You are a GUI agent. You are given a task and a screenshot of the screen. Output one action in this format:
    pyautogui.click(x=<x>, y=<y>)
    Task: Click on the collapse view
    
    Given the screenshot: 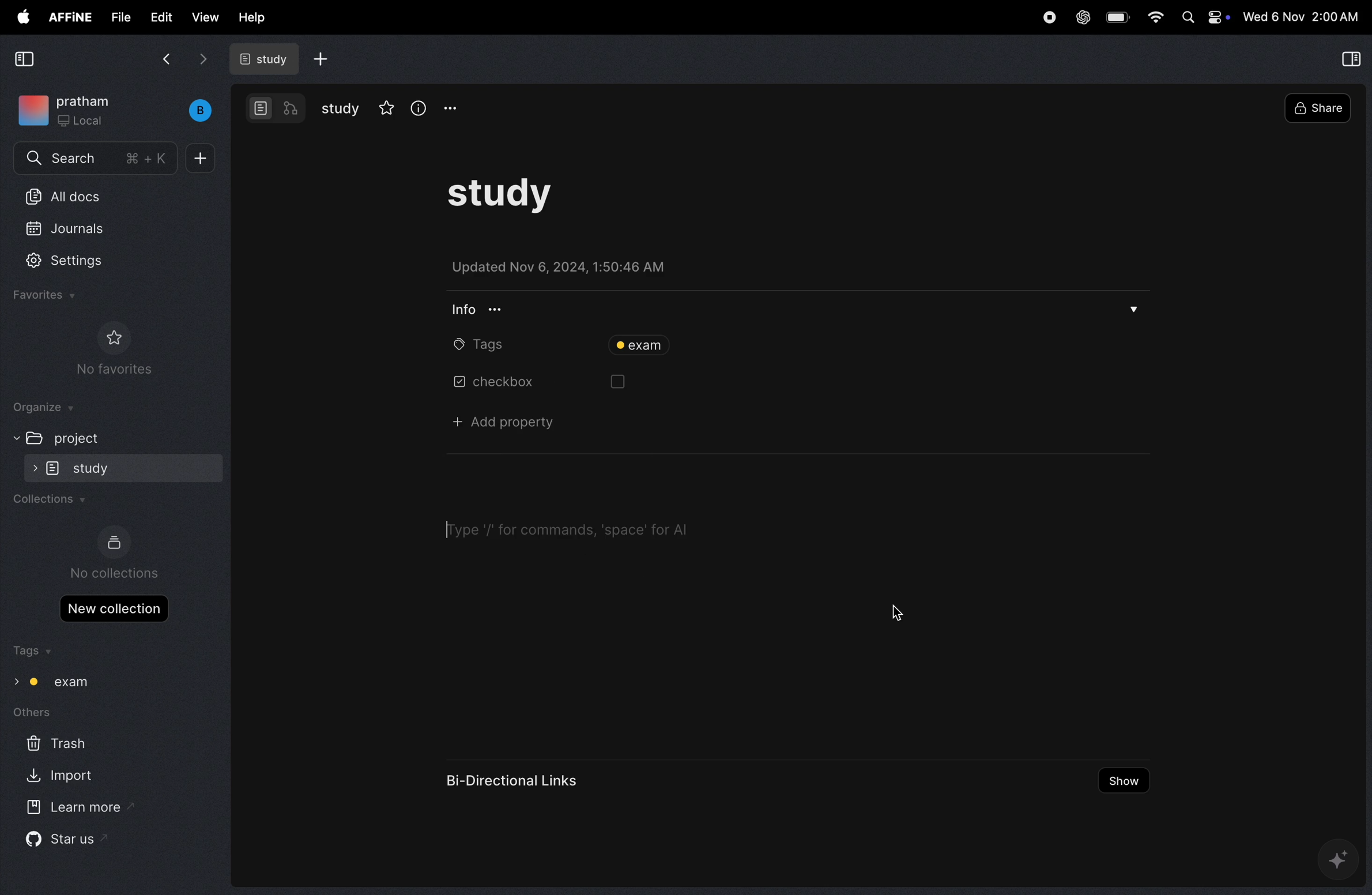 What is the action you would take?
    pyautogui.click(x=1350, y=60)
    